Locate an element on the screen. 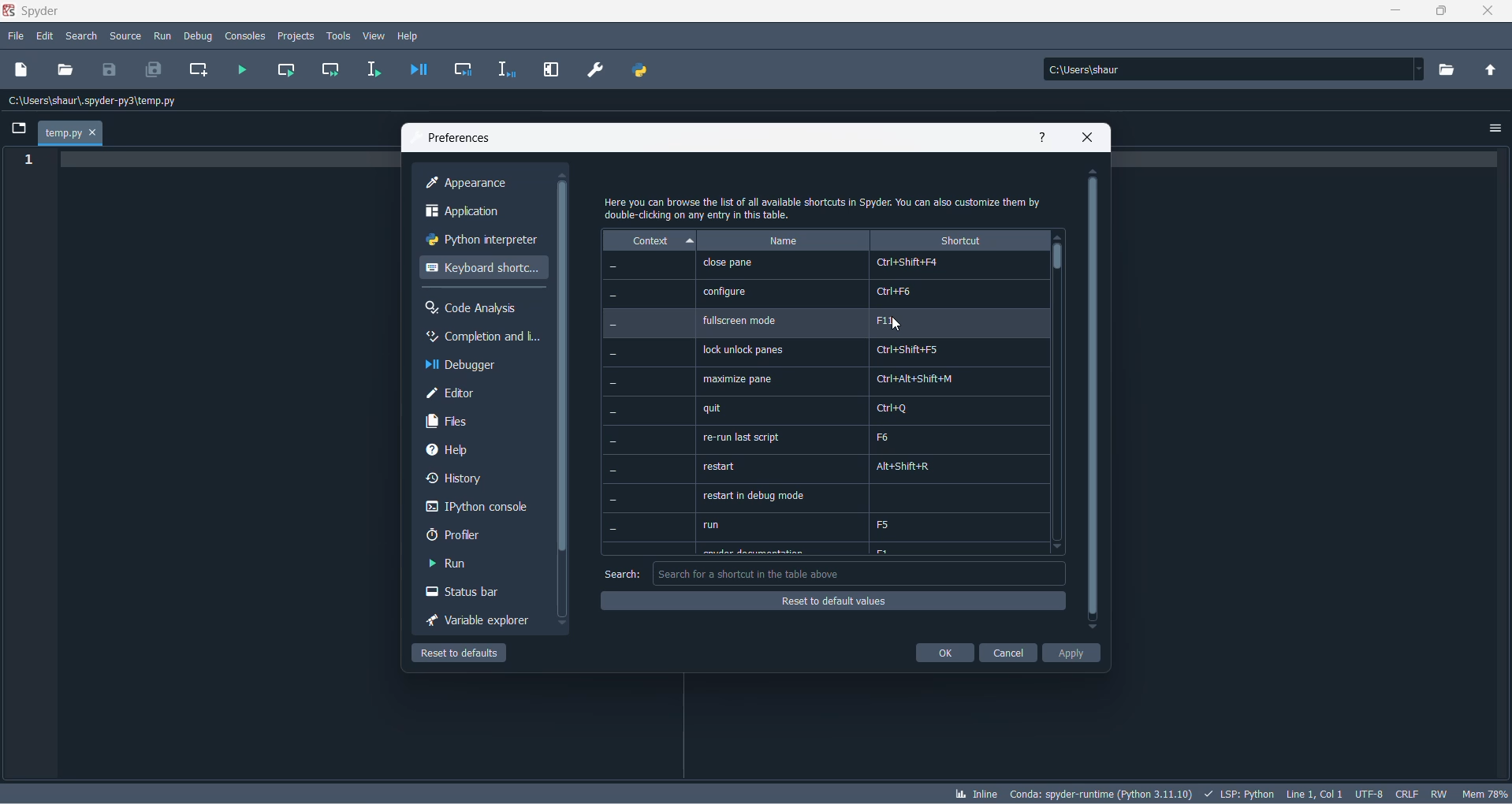  inline is located at coordinates (975, 795).